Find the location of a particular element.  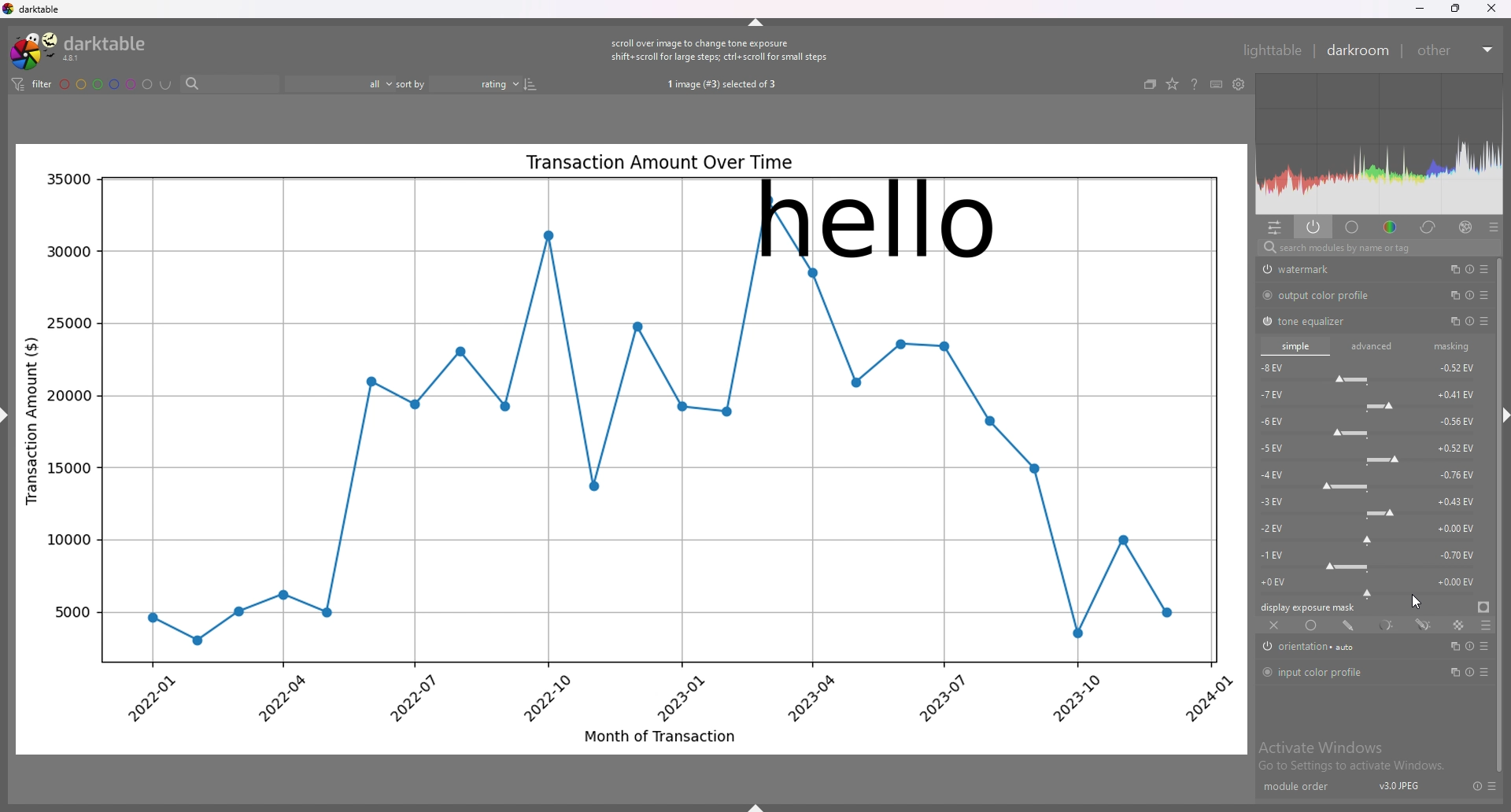

keyboard shortcuts is located at coordinates (1216, 84).